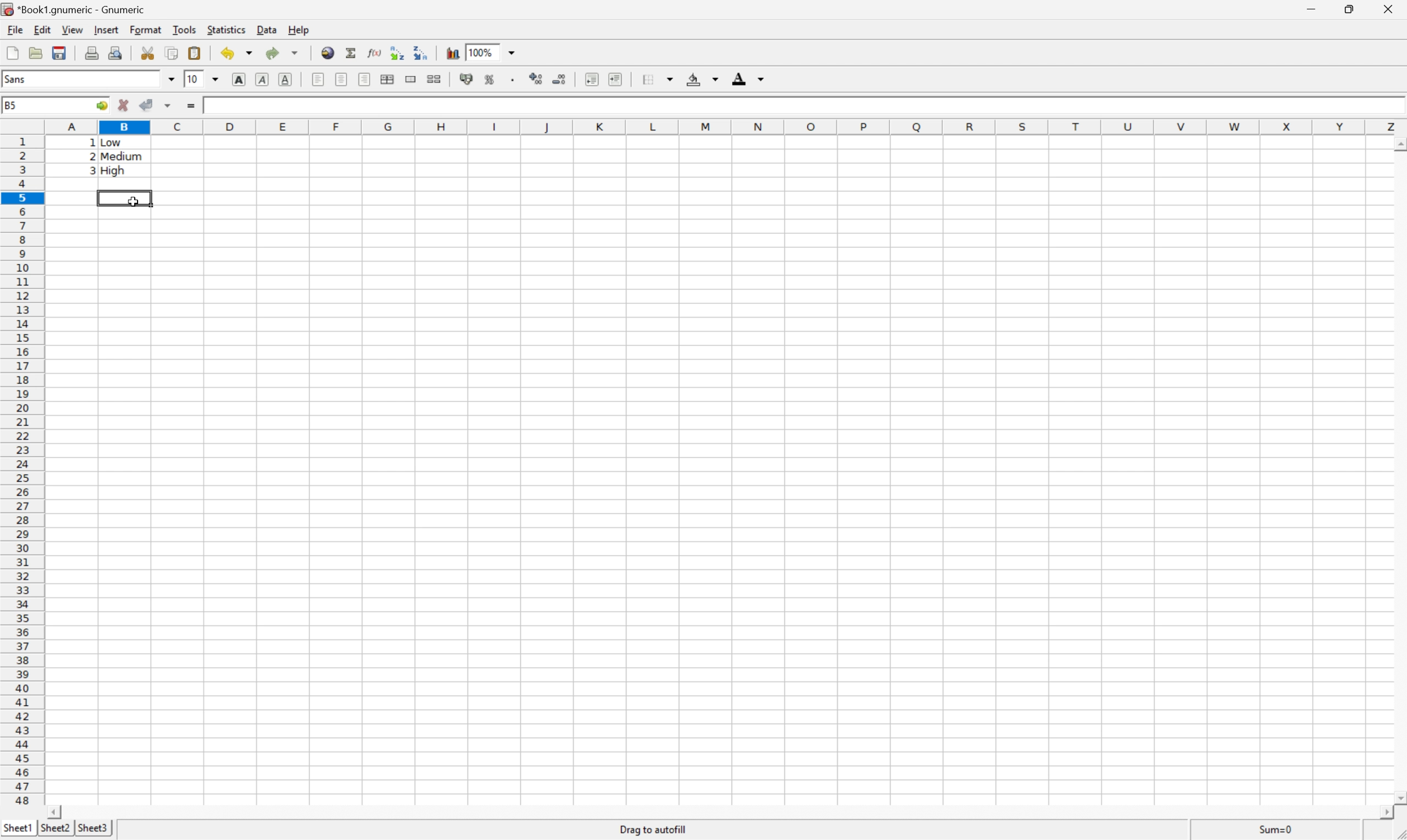  What do you see at coordinates (70, 28) in the screenshot?
I see `View` at bounding box center [70, 28].